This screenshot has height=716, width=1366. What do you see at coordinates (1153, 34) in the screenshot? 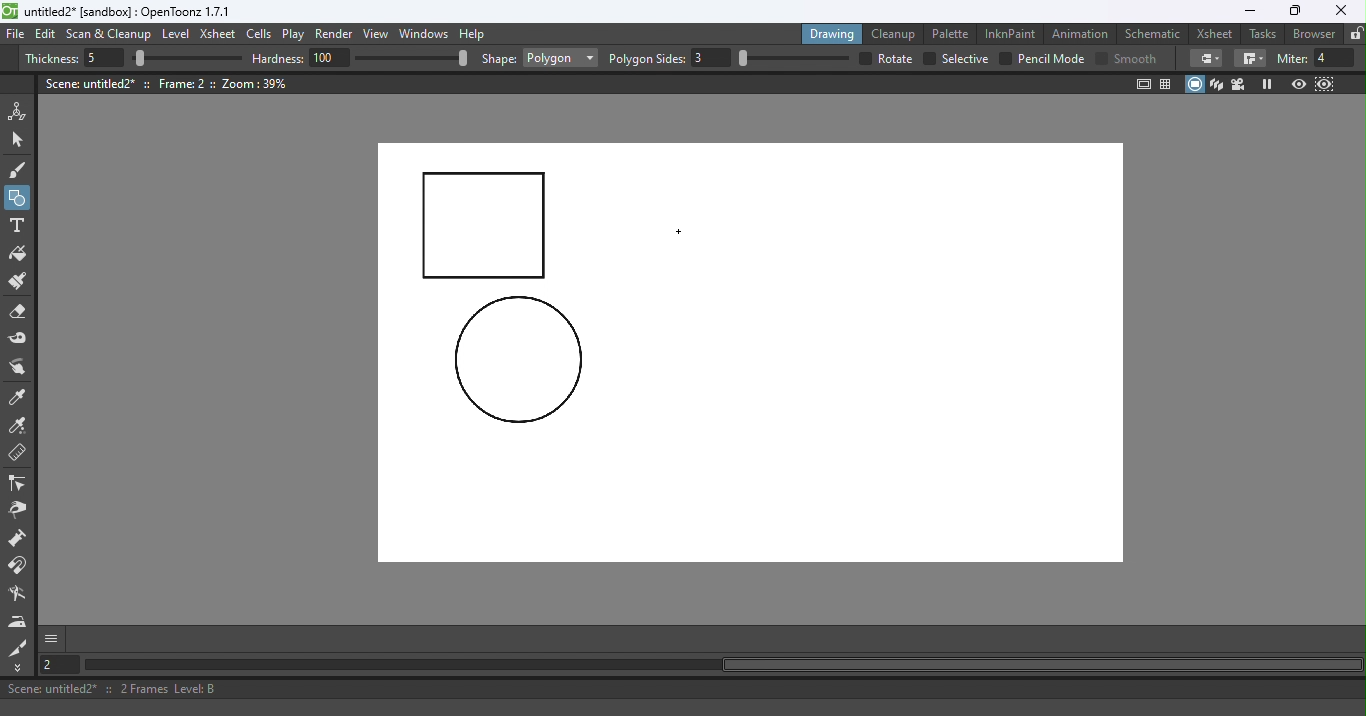
I see `Schematic` at bounding box center [1153, 34].